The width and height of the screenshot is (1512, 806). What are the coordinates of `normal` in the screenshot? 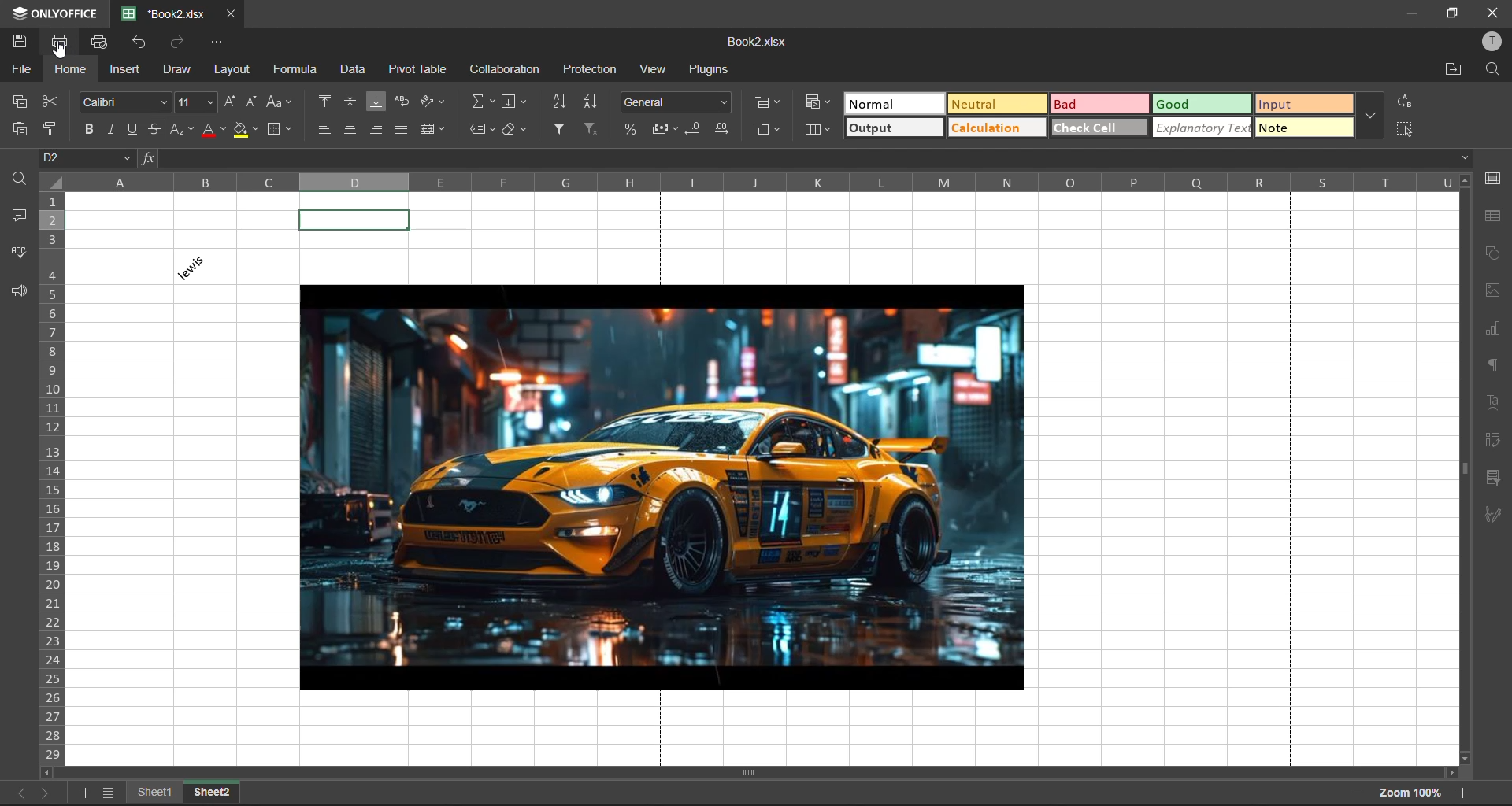 It's located at (895, 104).